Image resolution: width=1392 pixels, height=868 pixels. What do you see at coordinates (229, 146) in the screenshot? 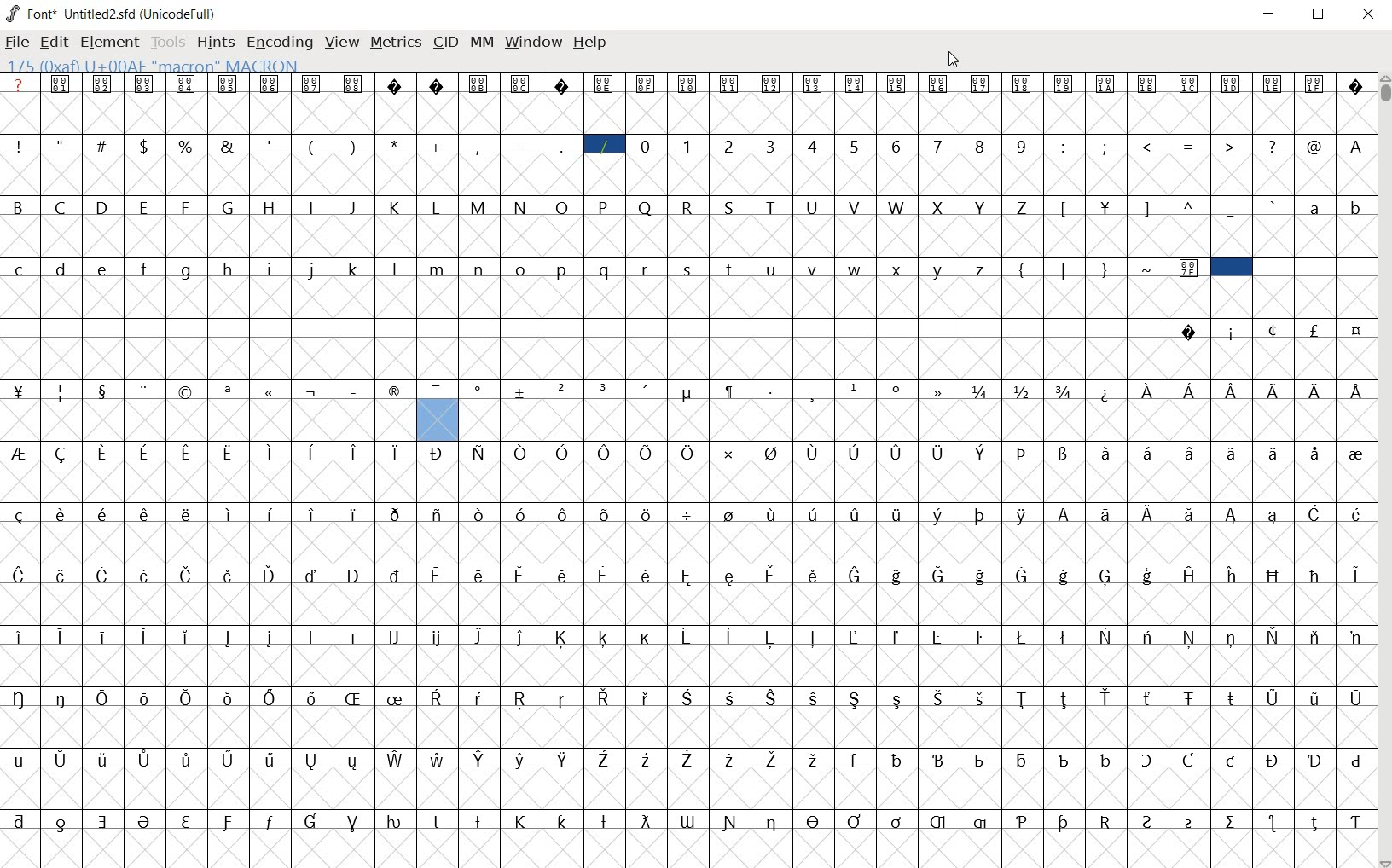
I see `&` at bounding box center [229, 146].